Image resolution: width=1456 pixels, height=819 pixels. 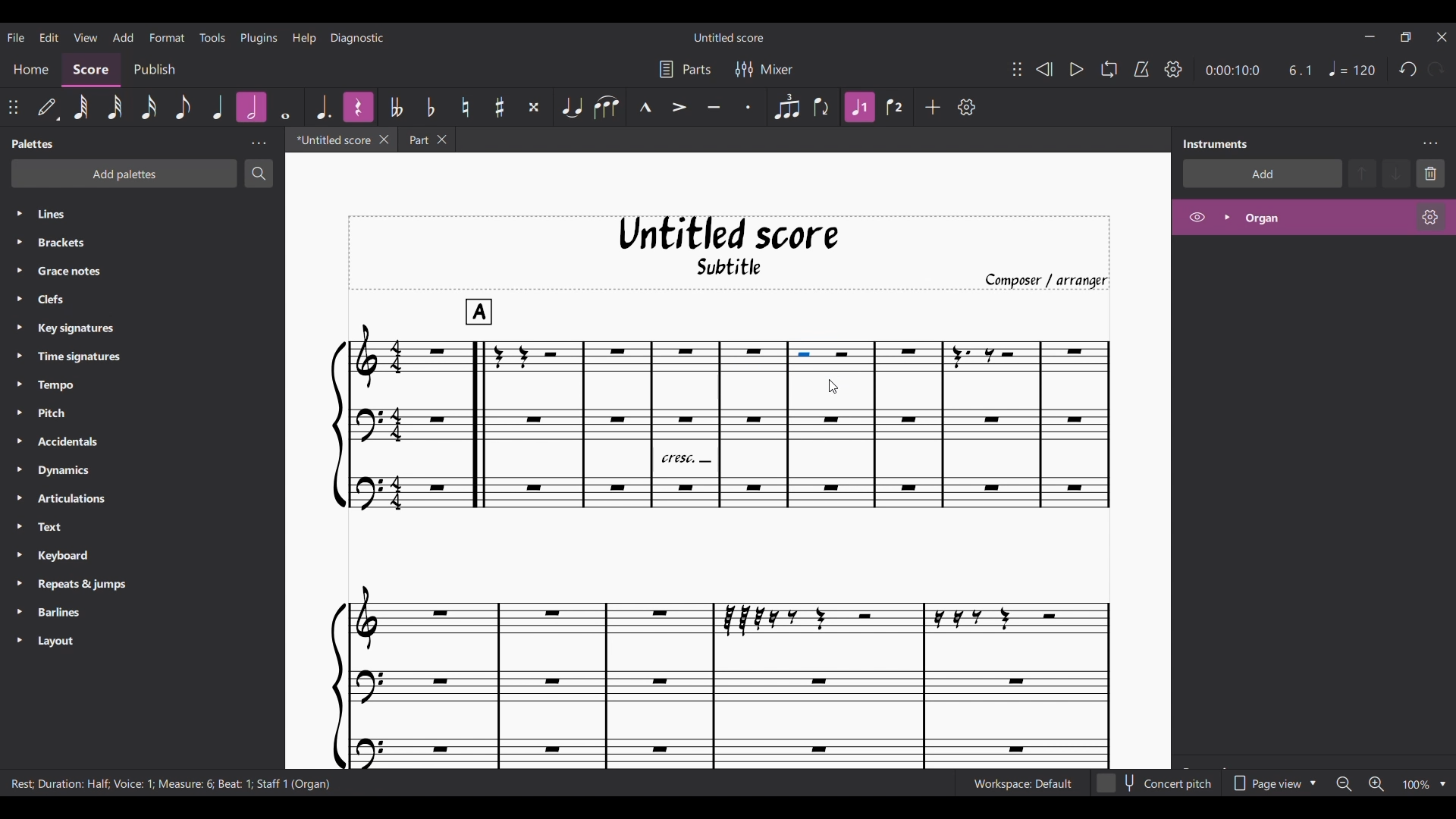 What do you see at coordinates (821, 108) in the screenshot?
I see `Flip direction` at bounding box center [821, 108].